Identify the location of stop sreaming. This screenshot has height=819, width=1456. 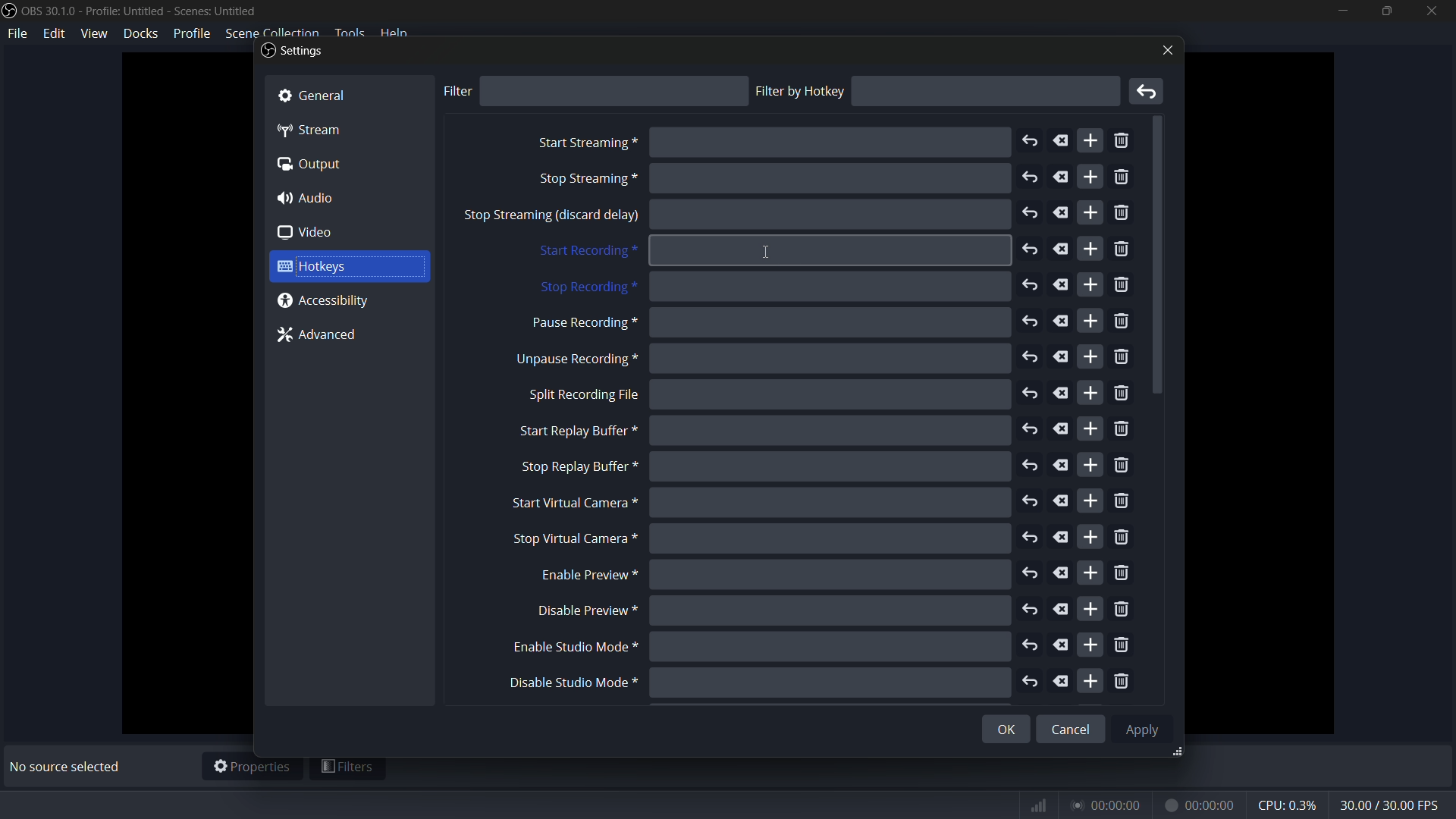
(551, 217).